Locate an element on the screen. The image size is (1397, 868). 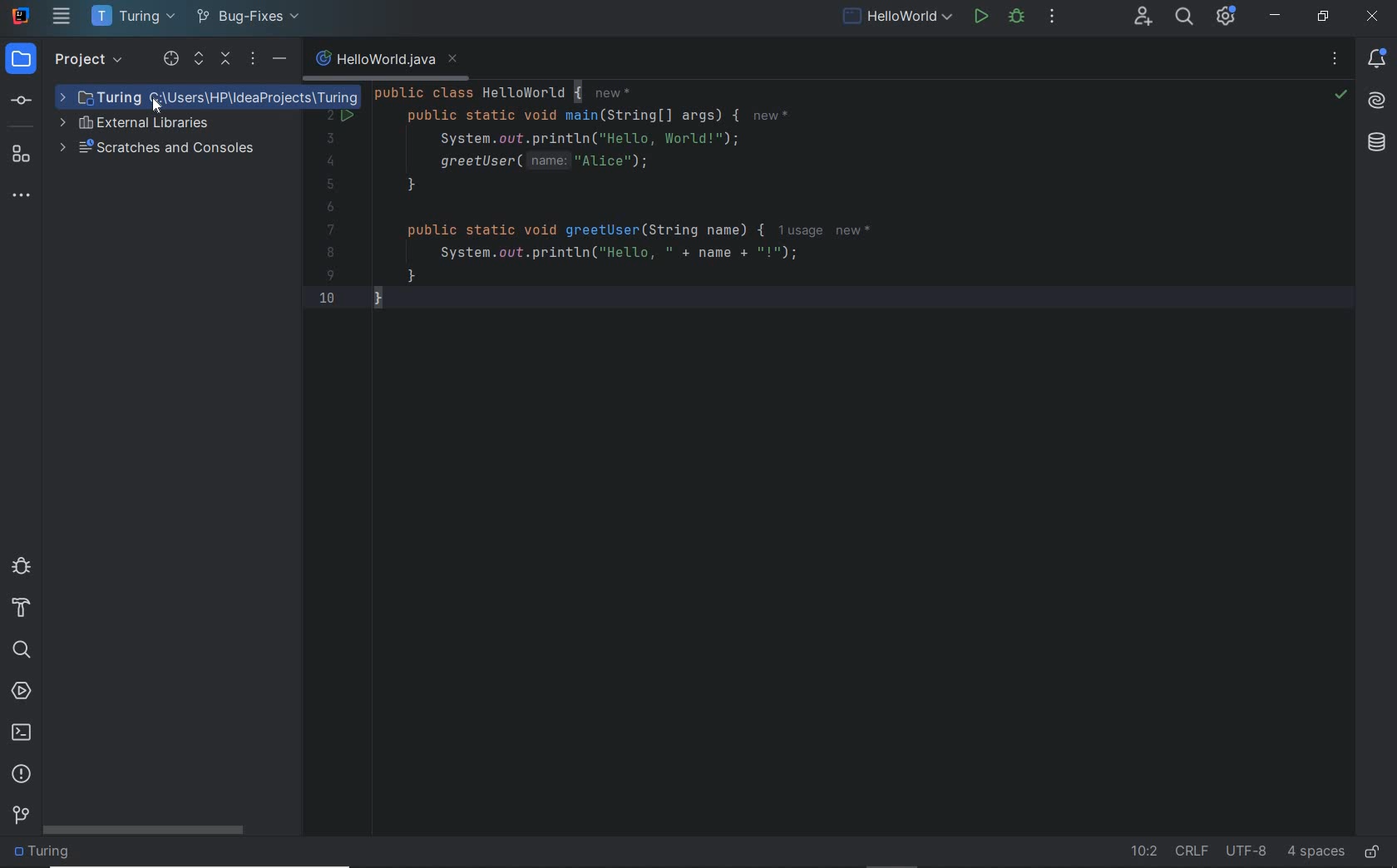
file name is located at coordinates (386, 62).